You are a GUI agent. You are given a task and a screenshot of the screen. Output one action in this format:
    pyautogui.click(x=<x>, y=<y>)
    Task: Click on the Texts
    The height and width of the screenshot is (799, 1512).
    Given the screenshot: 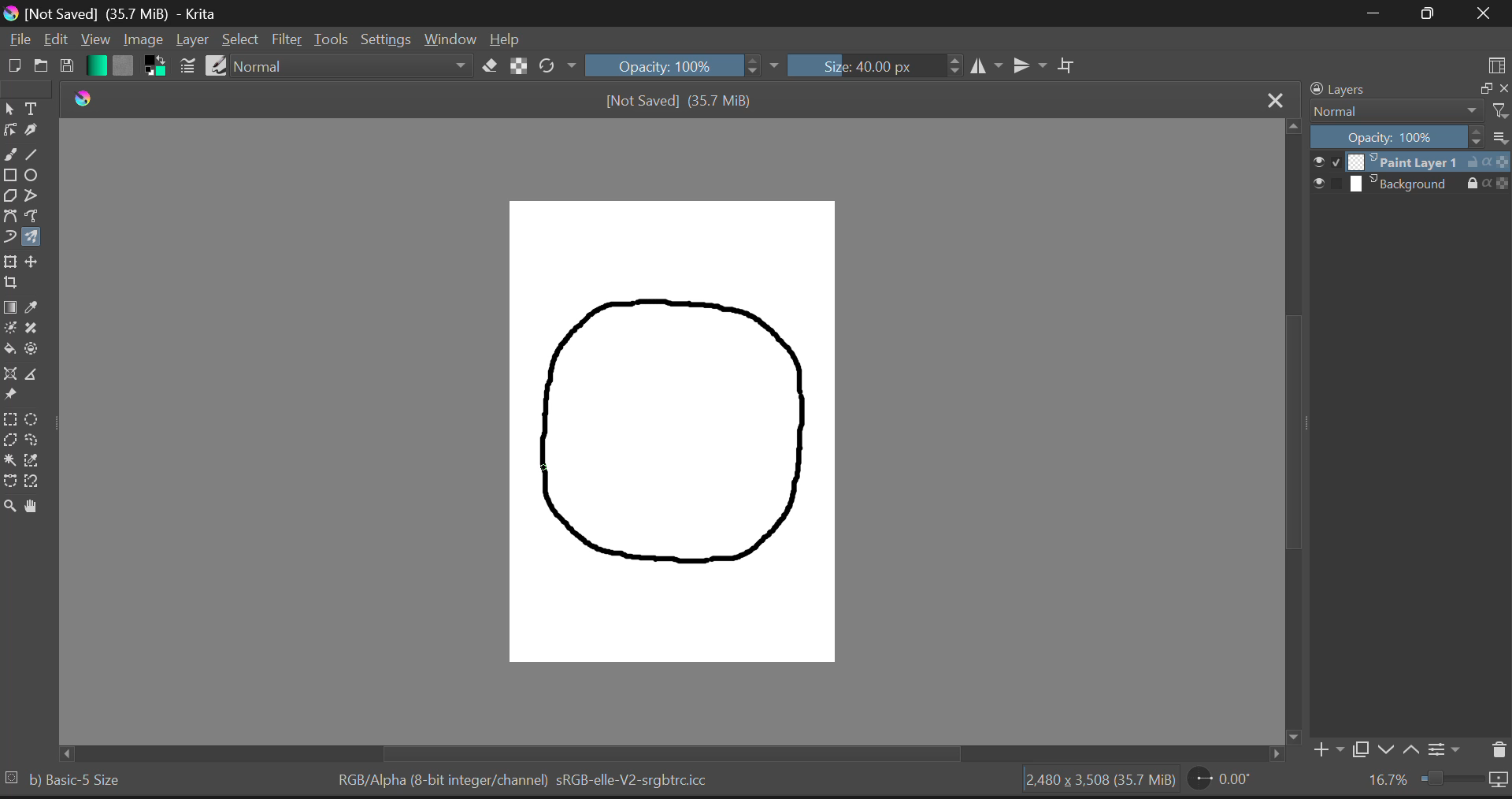 What is the action you would take?
    pyautogui.click(x=32, y=107)
    